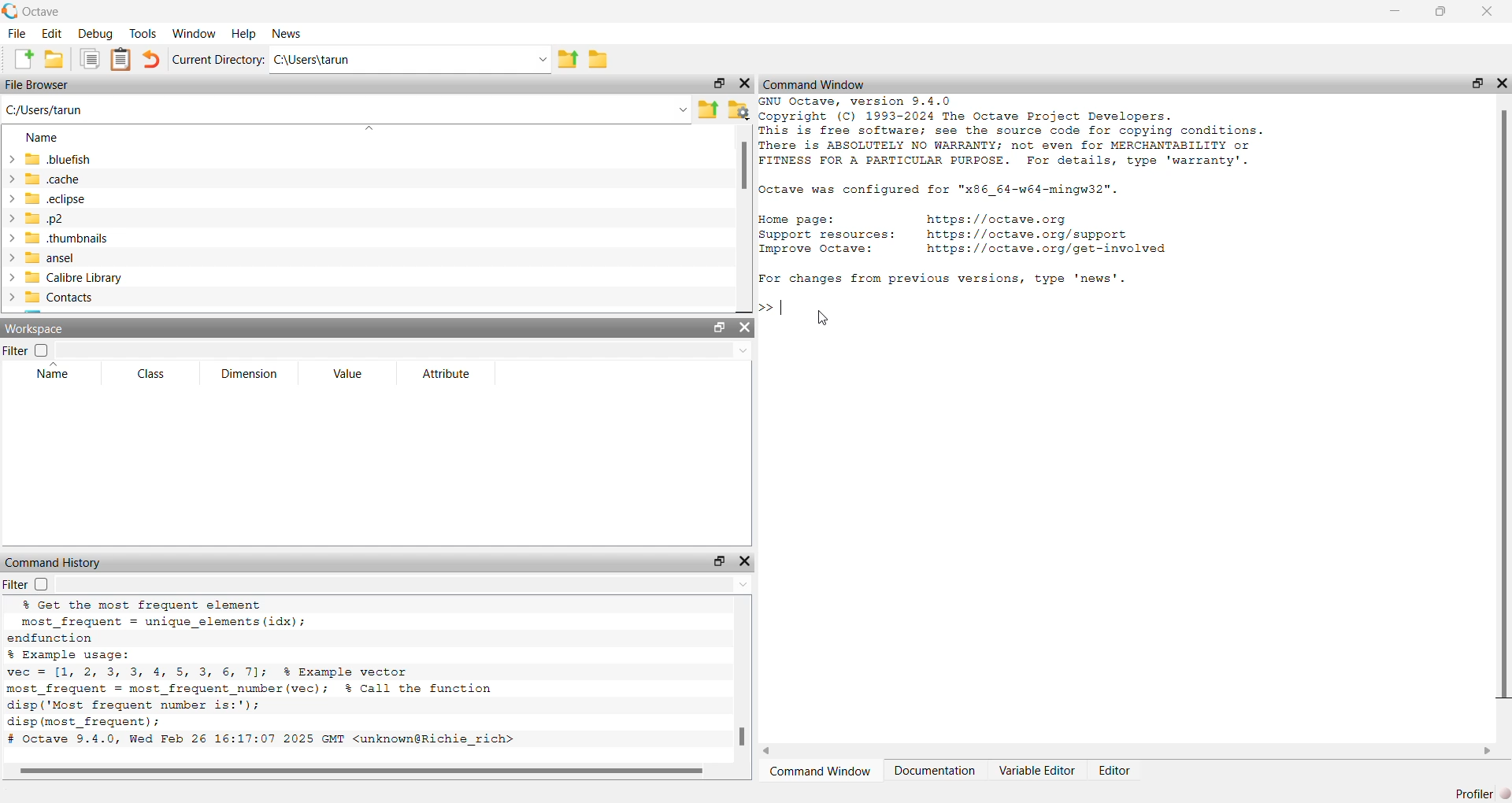 The height and width of the screenshot is (803, 1512). What do you see at coordinates (739, 110) in the screenshot?
I see `Browse your files` at bounding box center [739, 110].